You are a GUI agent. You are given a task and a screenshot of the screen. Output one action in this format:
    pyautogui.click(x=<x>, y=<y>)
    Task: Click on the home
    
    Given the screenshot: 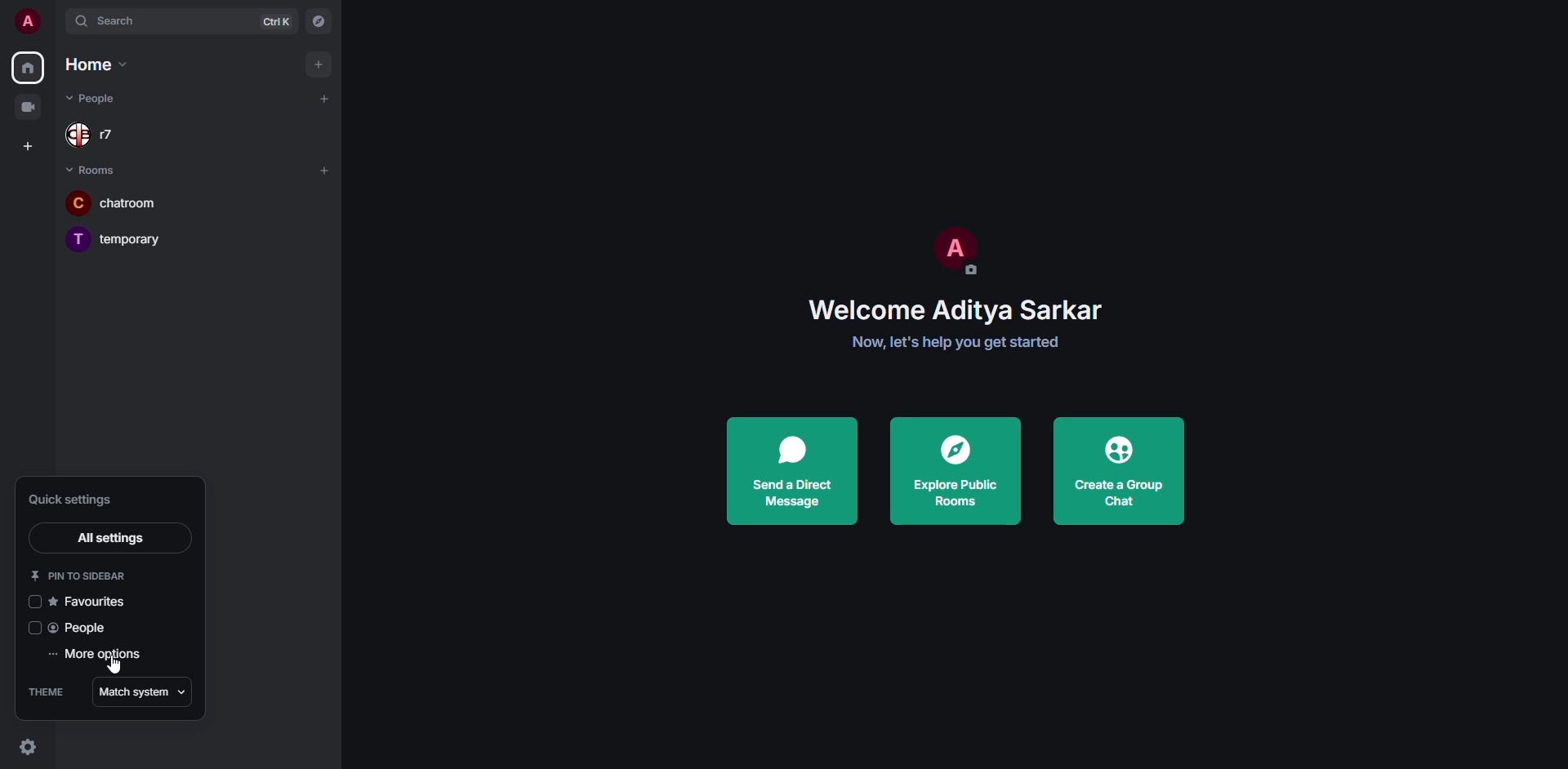 What is the action you would take?
    pyautogui.click(x=96, y=62)
    